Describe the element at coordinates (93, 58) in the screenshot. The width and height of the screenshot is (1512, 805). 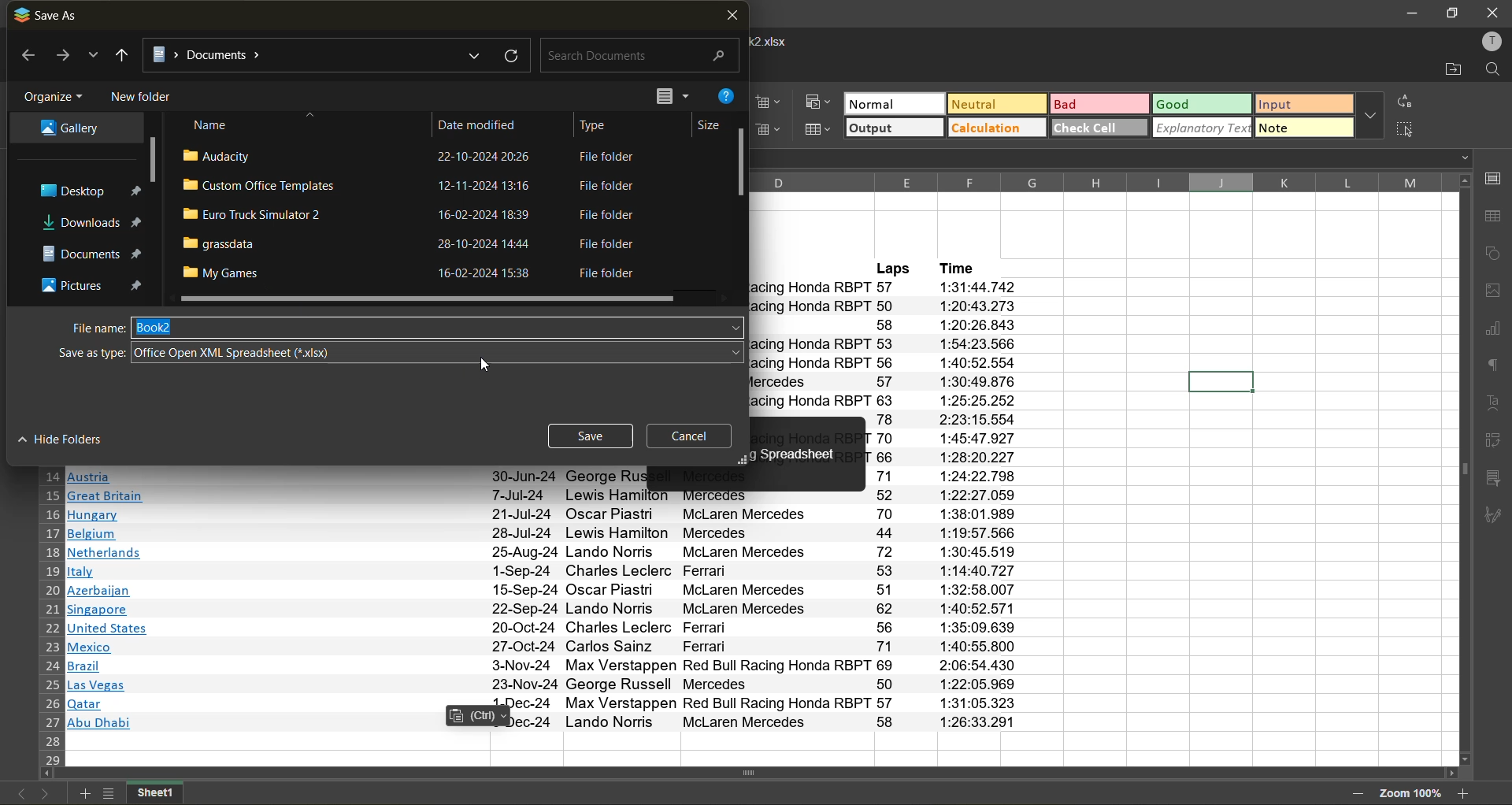
I see `browse` at that location.